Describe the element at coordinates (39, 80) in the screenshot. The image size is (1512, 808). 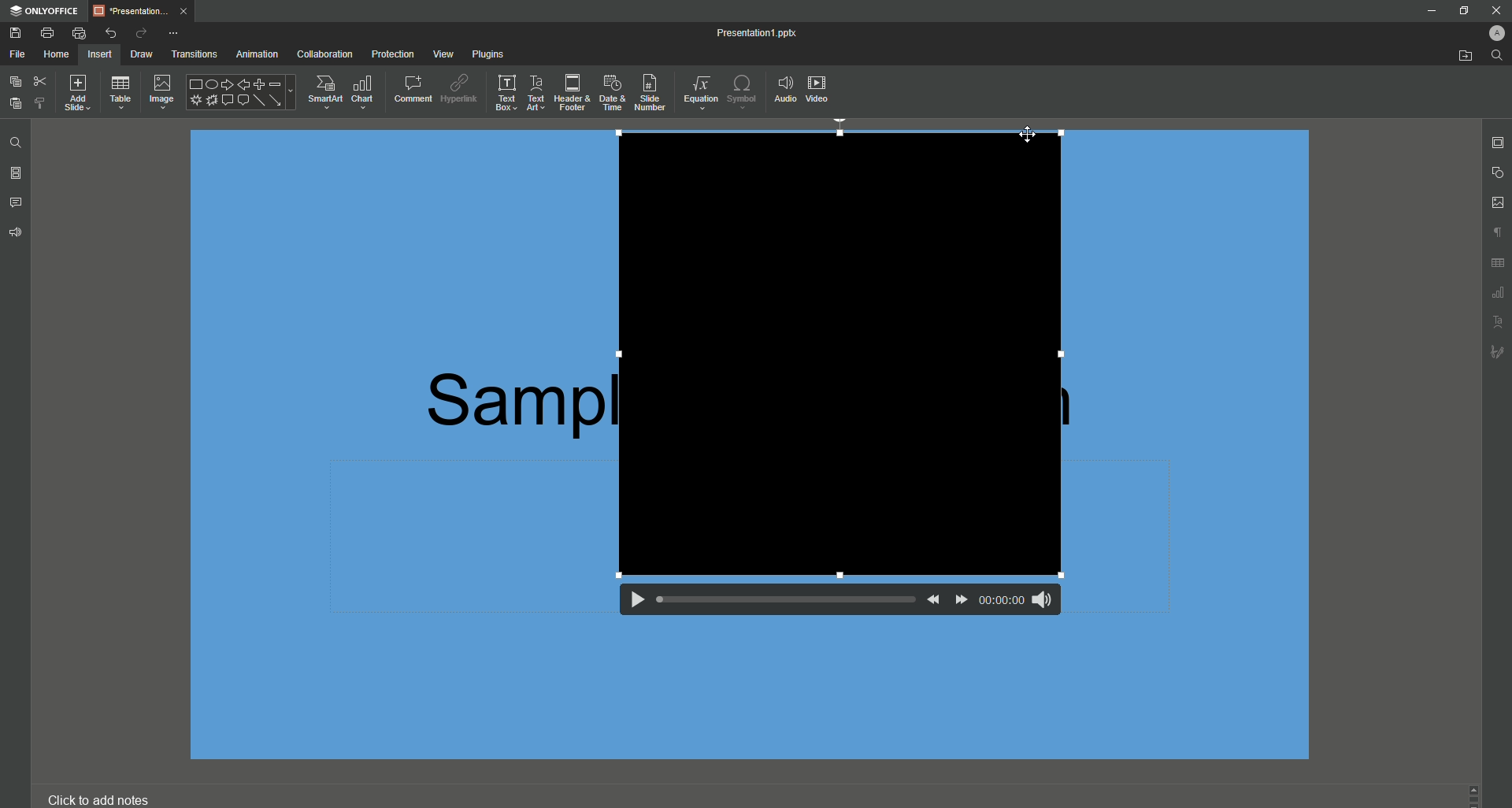
I see `Cut` at that location.